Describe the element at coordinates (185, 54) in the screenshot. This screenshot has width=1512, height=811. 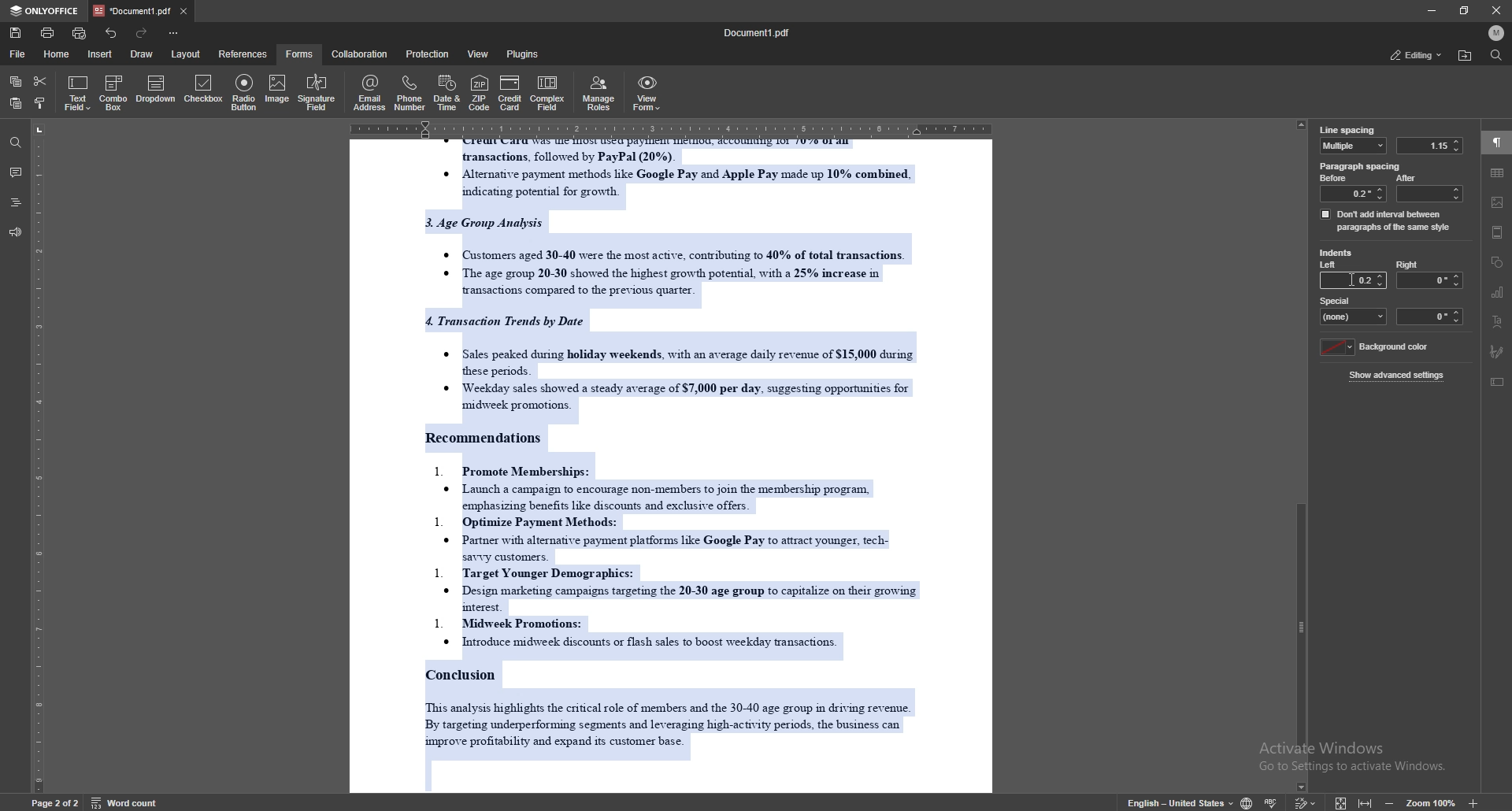
I see `layout` at that location.